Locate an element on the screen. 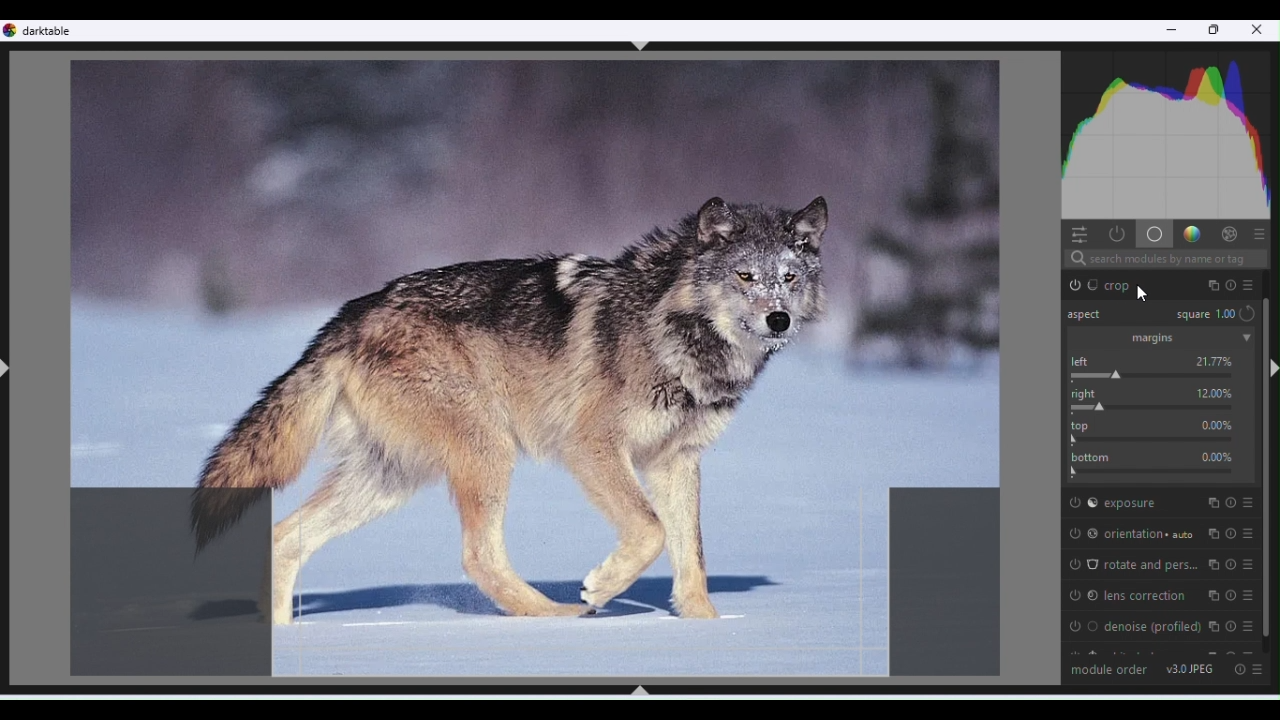 The image size is (1280, 720). value is located at coordinates (1215, 361).